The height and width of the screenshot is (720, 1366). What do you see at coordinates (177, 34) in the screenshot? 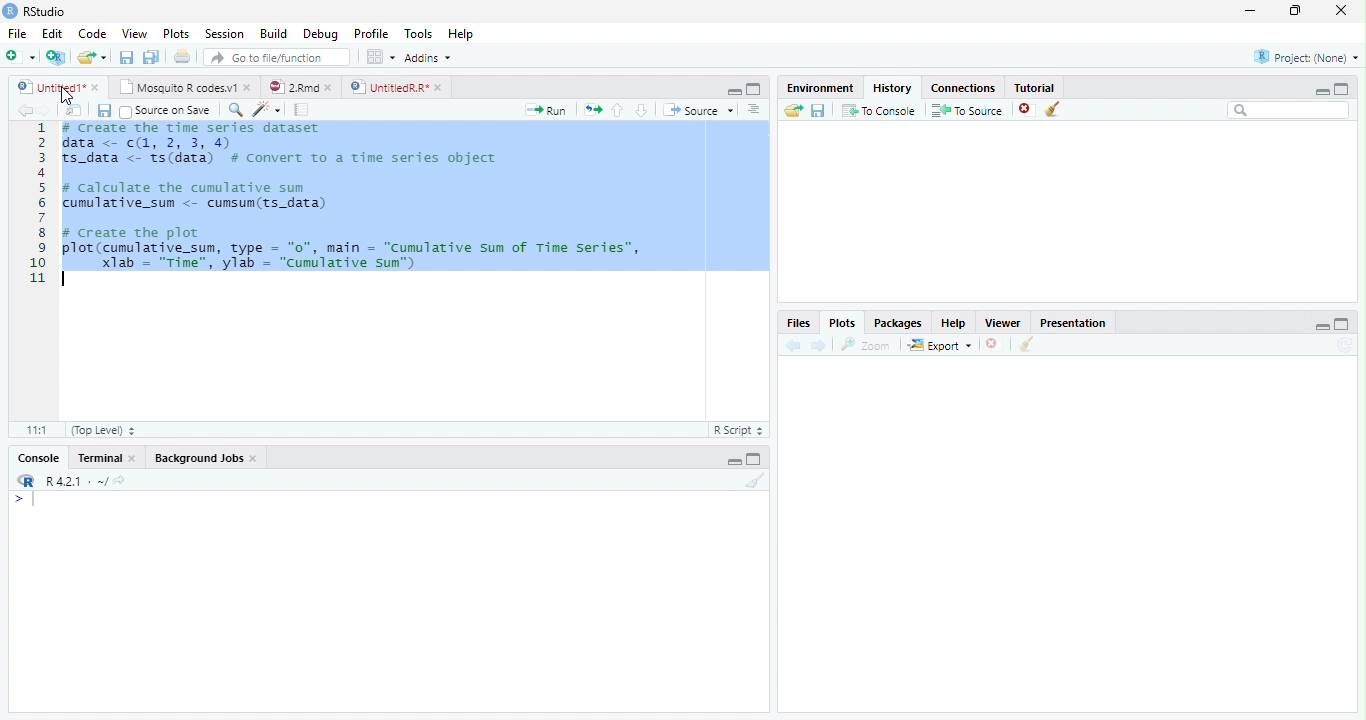
I see `Plots` at bounding box center [177, 34].